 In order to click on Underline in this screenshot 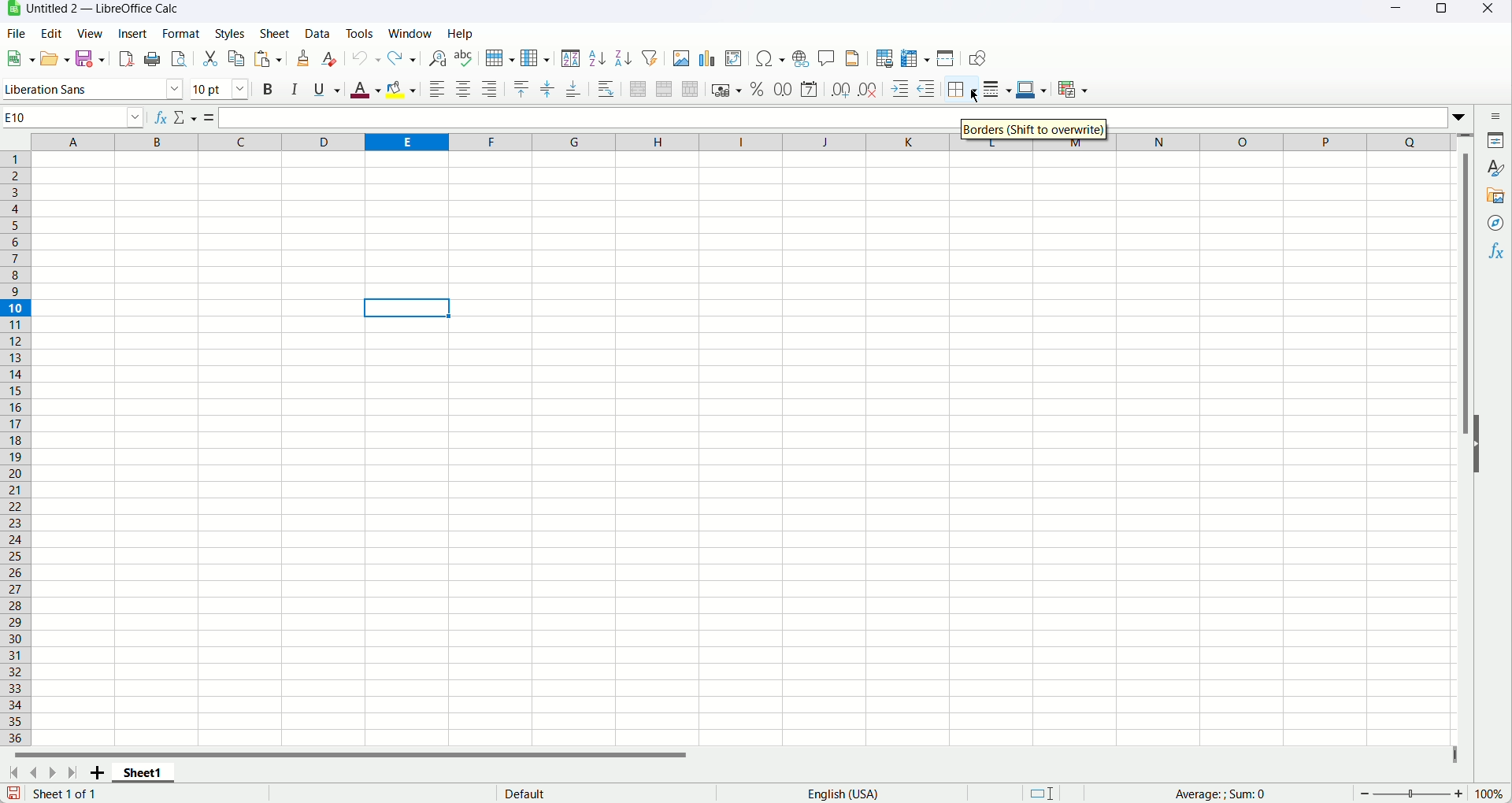, I will do `click(327, 90)`.